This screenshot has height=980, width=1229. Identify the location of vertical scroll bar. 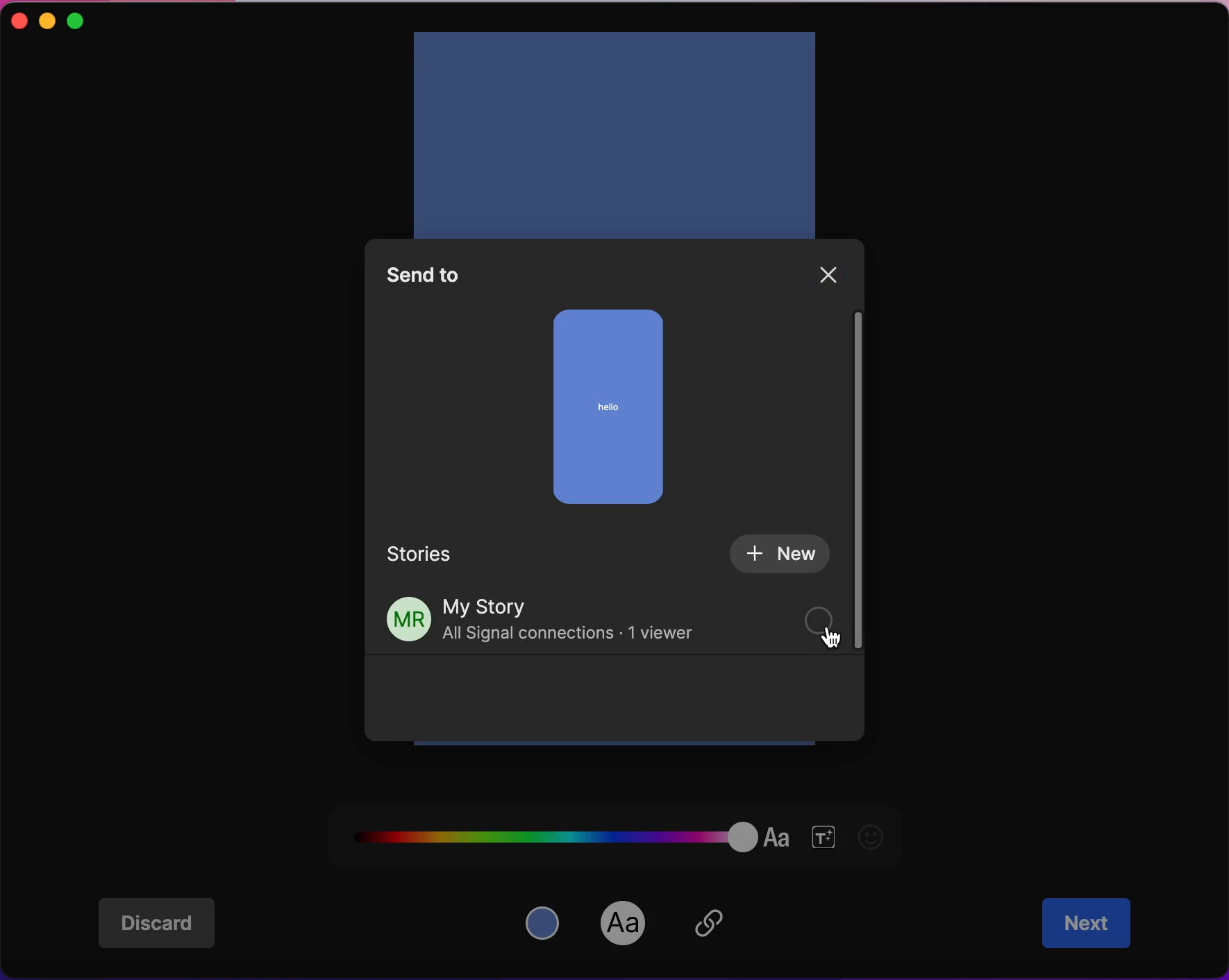
(859, 479).